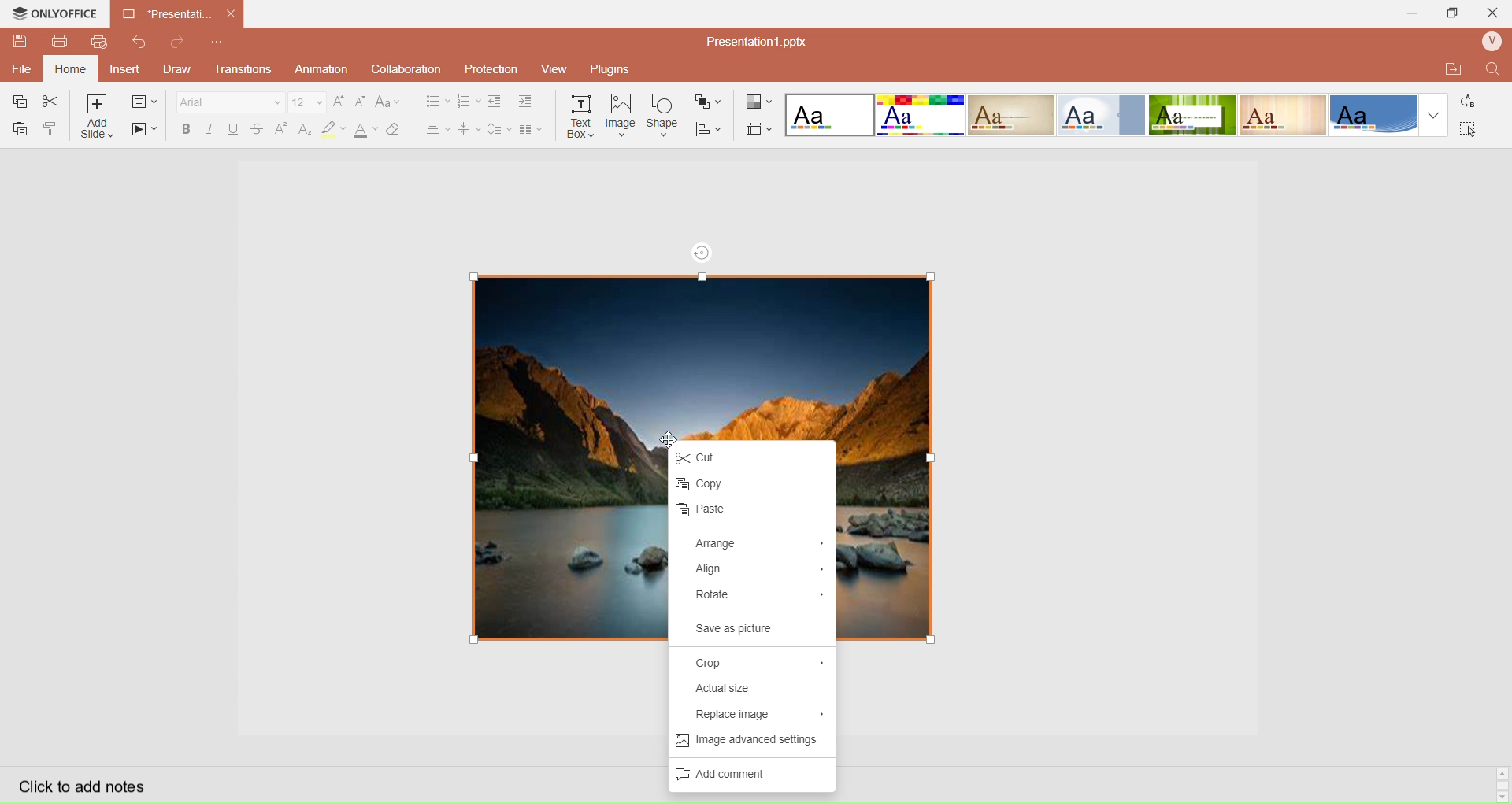 The width and height of the screenshot is (1512, 803). Describe the element at coordinates (621, 117) in the screenshot. I see `Insert Image` at that location.